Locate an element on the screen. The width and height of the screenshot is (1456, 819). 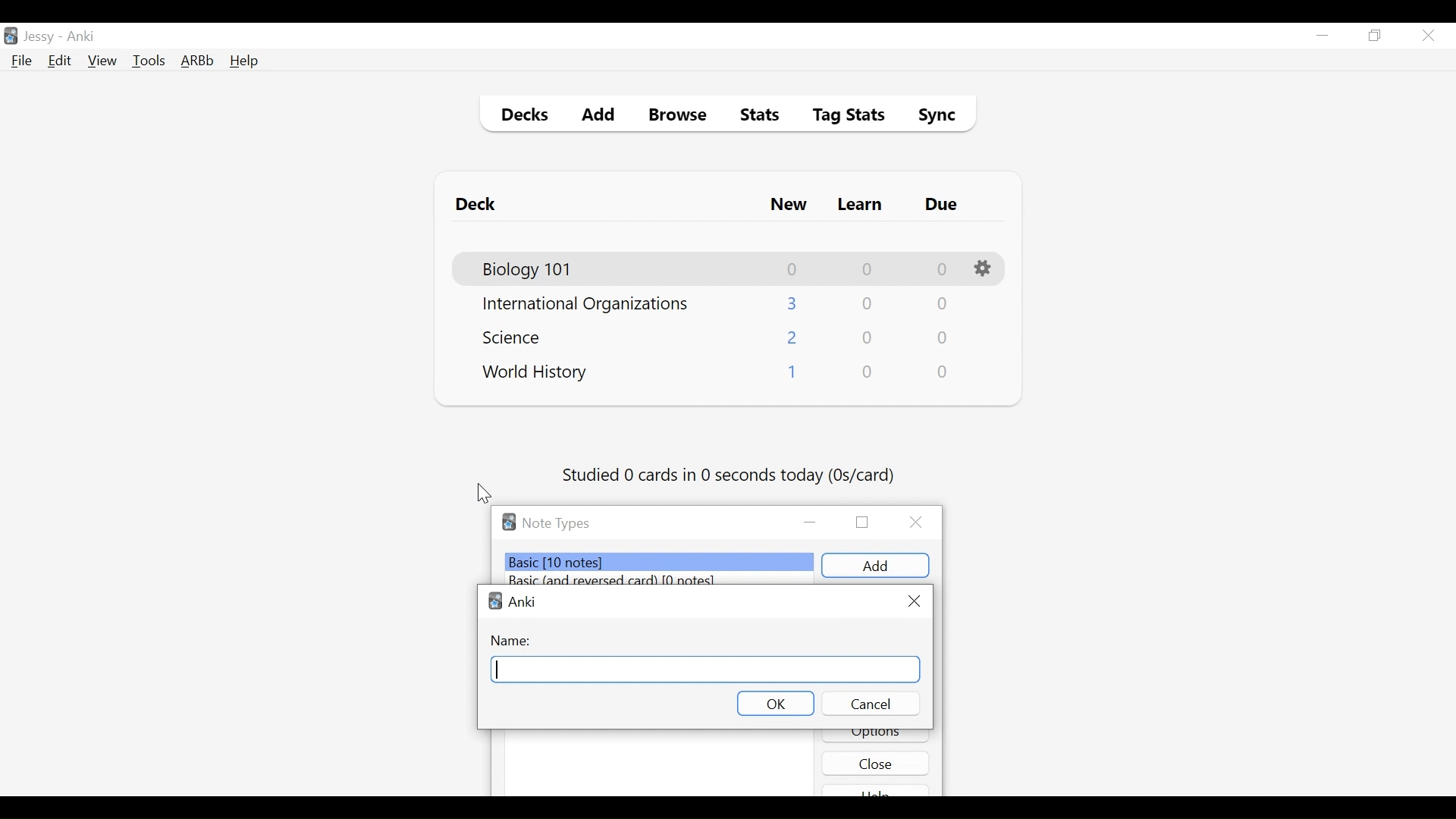
Learn is located at coordinates (859, 206).